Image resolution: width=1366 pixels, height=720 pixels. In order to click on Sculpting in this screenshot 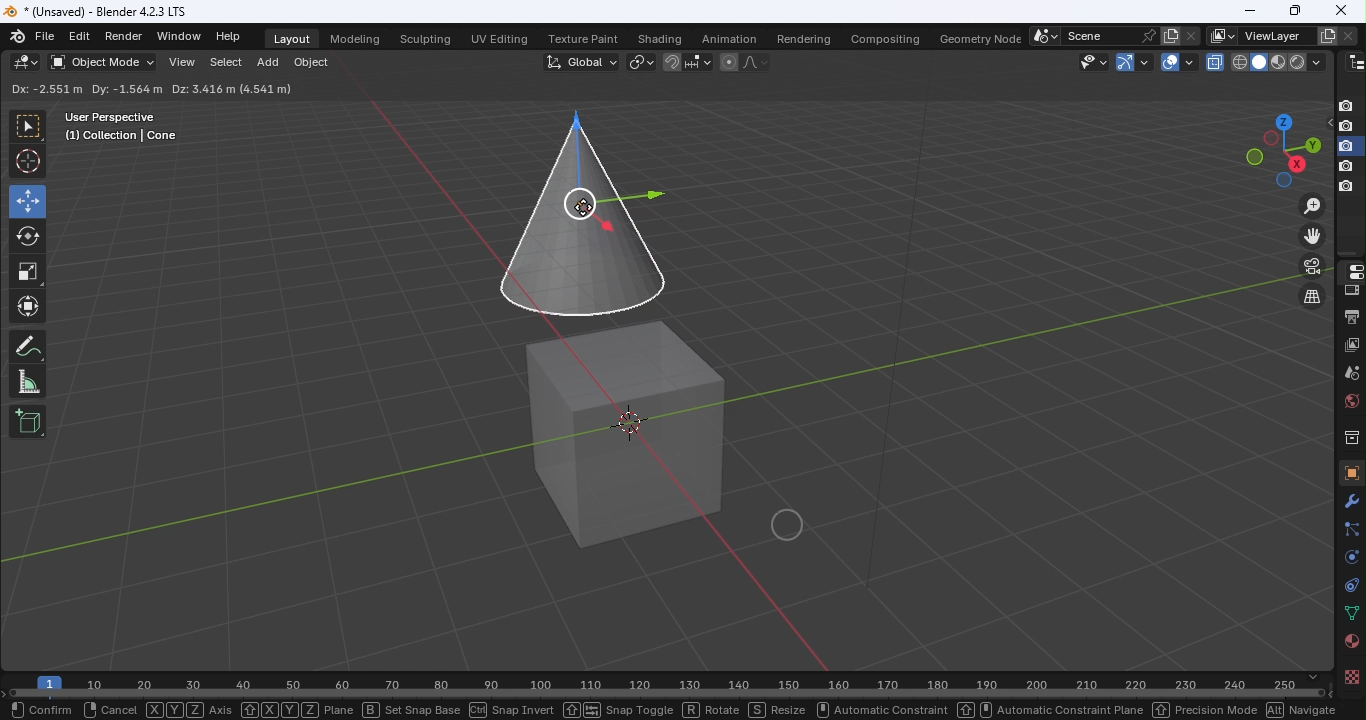, I will do `click(425, 40)`.